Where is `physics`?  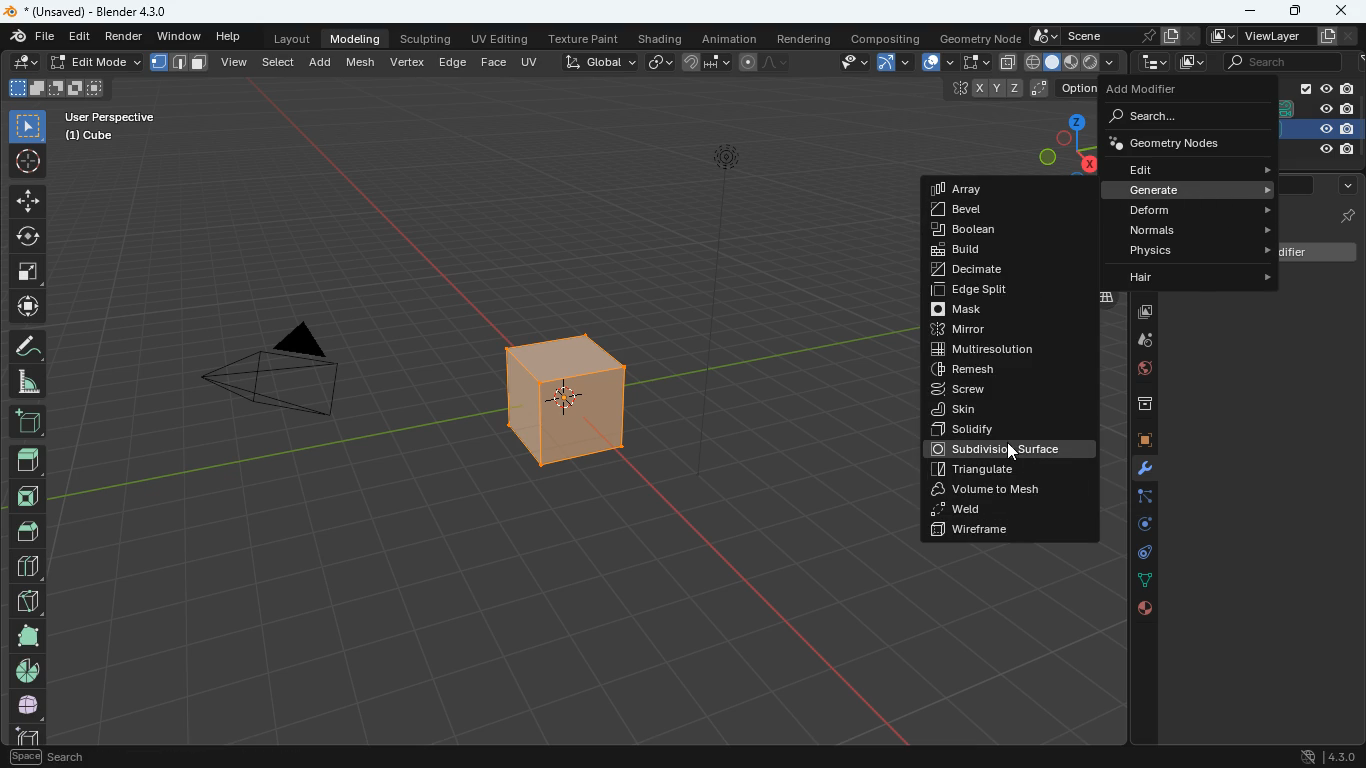
physics is located at coordinates (1181, 251).